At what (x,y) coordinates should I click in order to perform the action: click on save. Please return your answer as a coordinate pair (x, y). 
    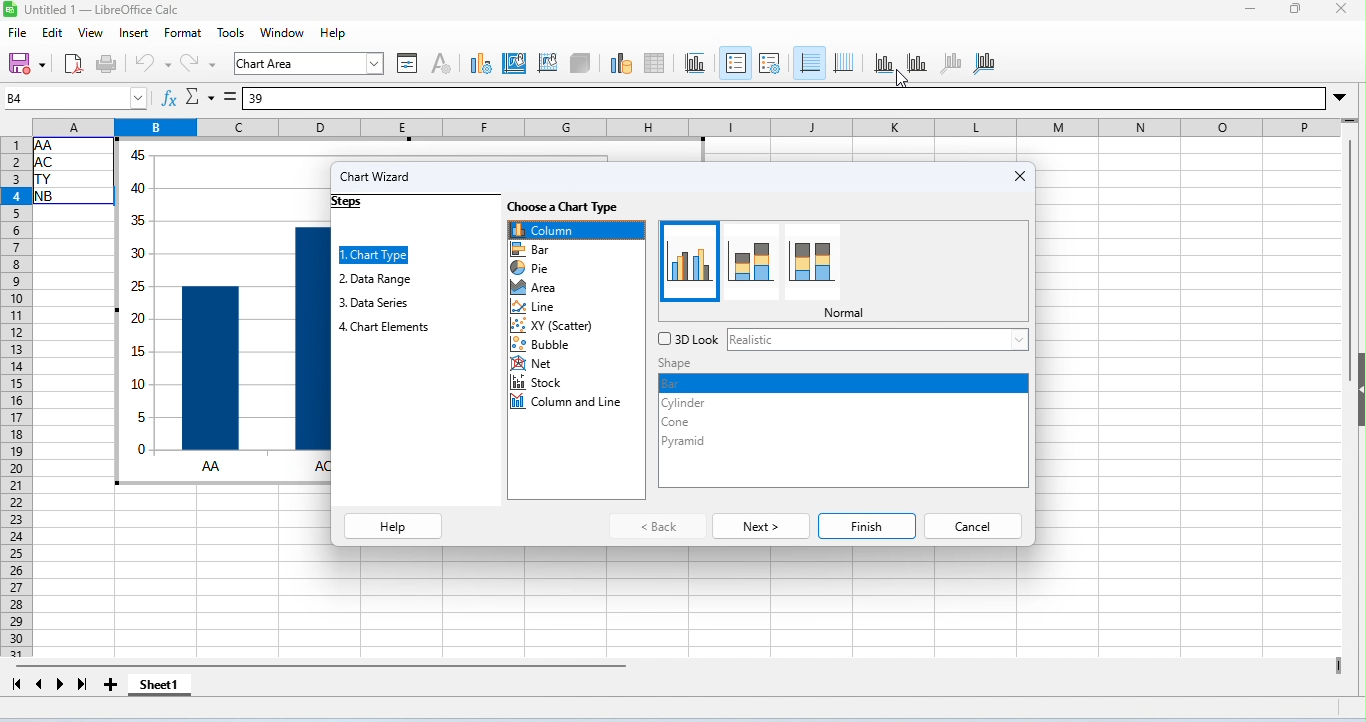
    Looking at the image, I should click on (25, 62).